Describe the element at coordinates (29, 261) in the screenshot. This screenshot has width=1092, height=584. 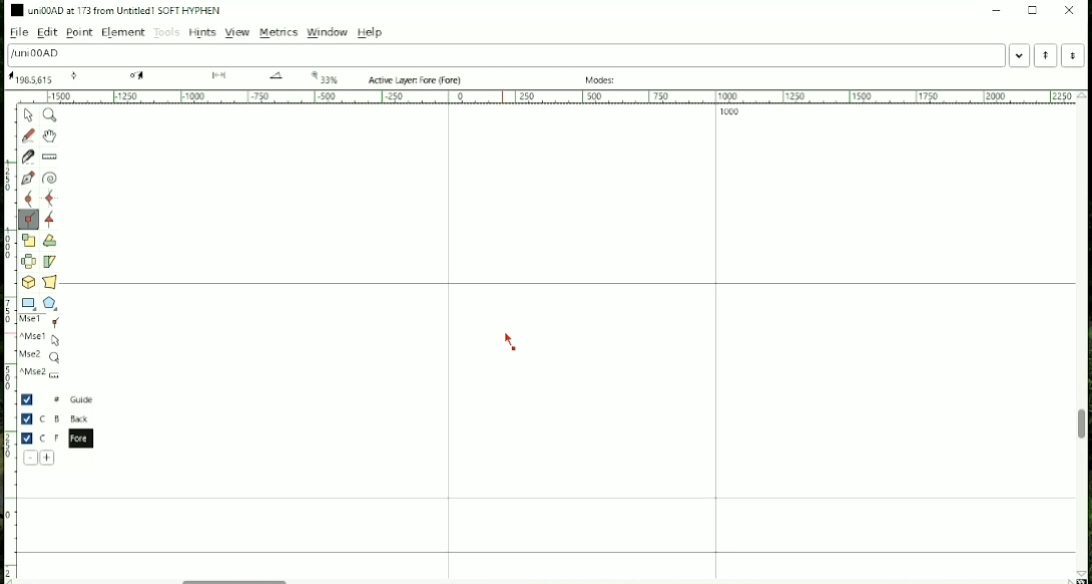
I see `Flip the selection` at that location.